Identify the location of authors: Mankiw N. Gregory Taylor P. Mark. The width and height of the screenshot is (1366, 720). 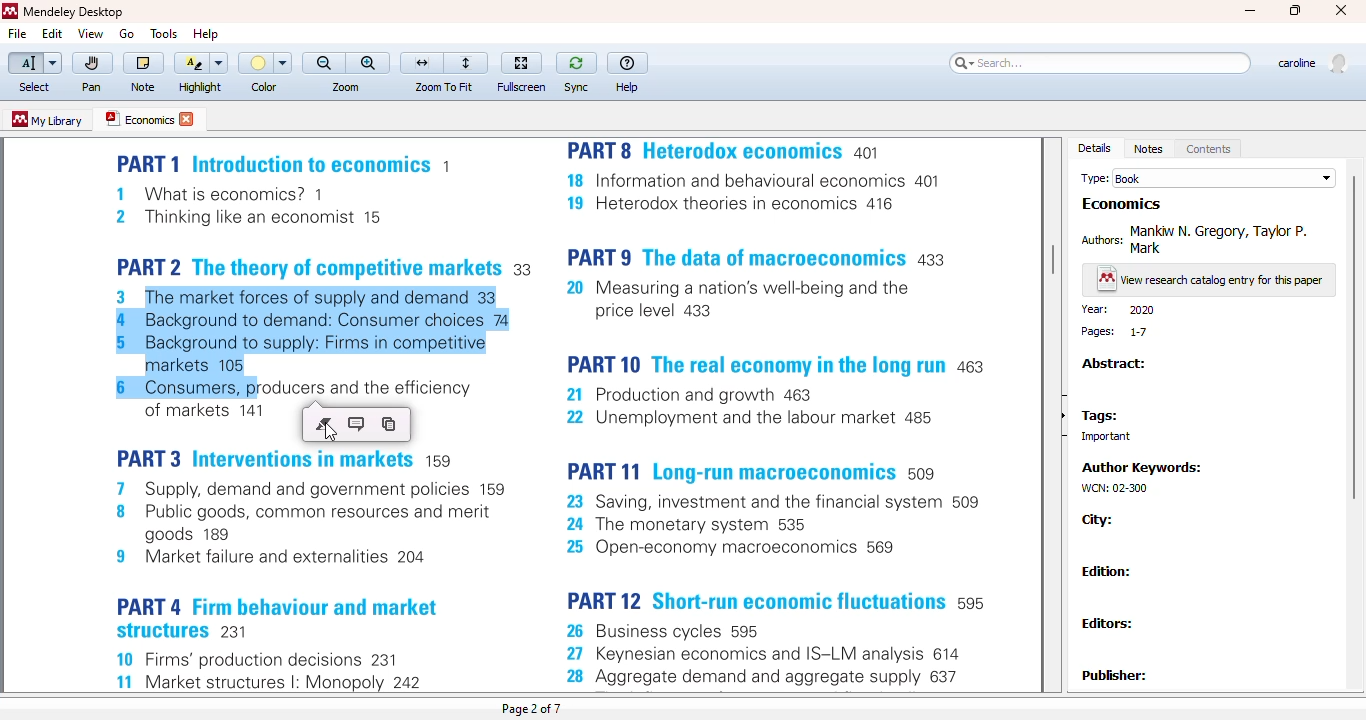
(1199, 238).